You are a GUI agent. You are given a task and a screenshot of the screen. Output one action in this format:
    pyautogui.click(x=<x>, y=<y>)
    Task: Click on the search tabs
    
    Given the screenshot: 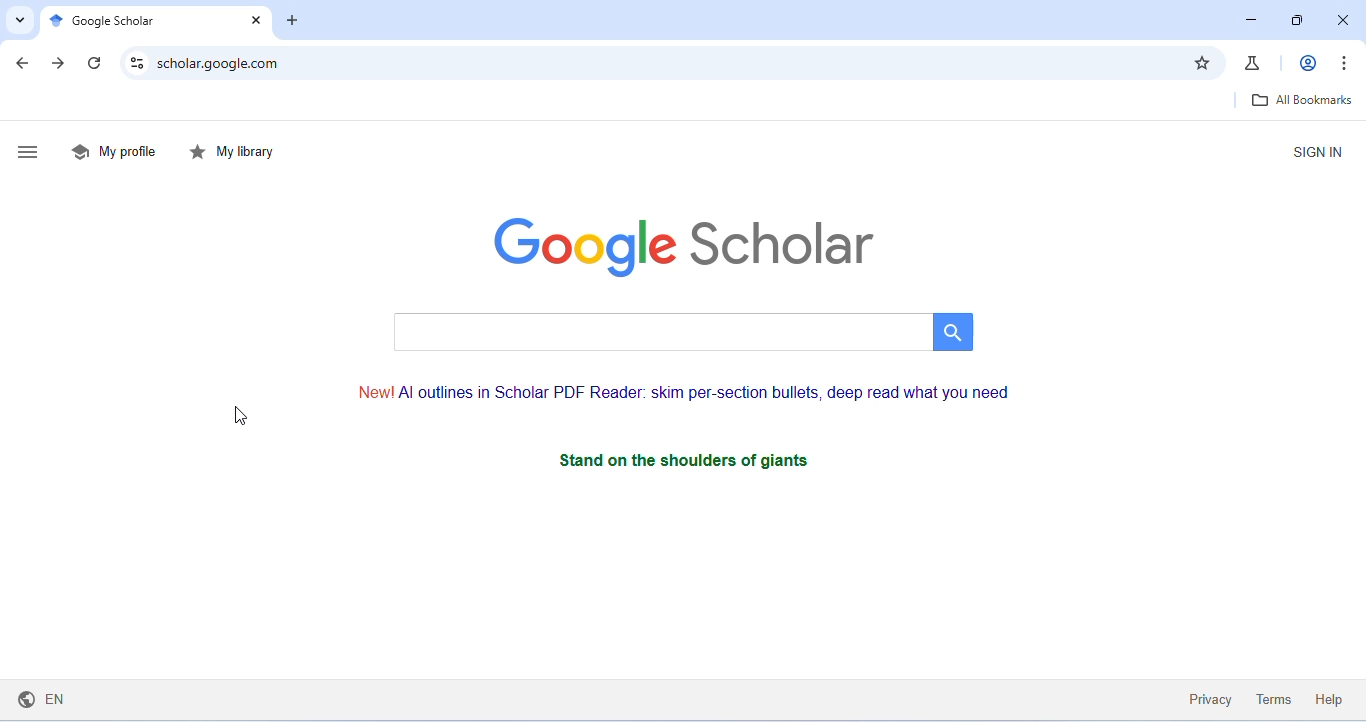 What is the action you would take?
    pyautogui.click(x=17, y=19)
    